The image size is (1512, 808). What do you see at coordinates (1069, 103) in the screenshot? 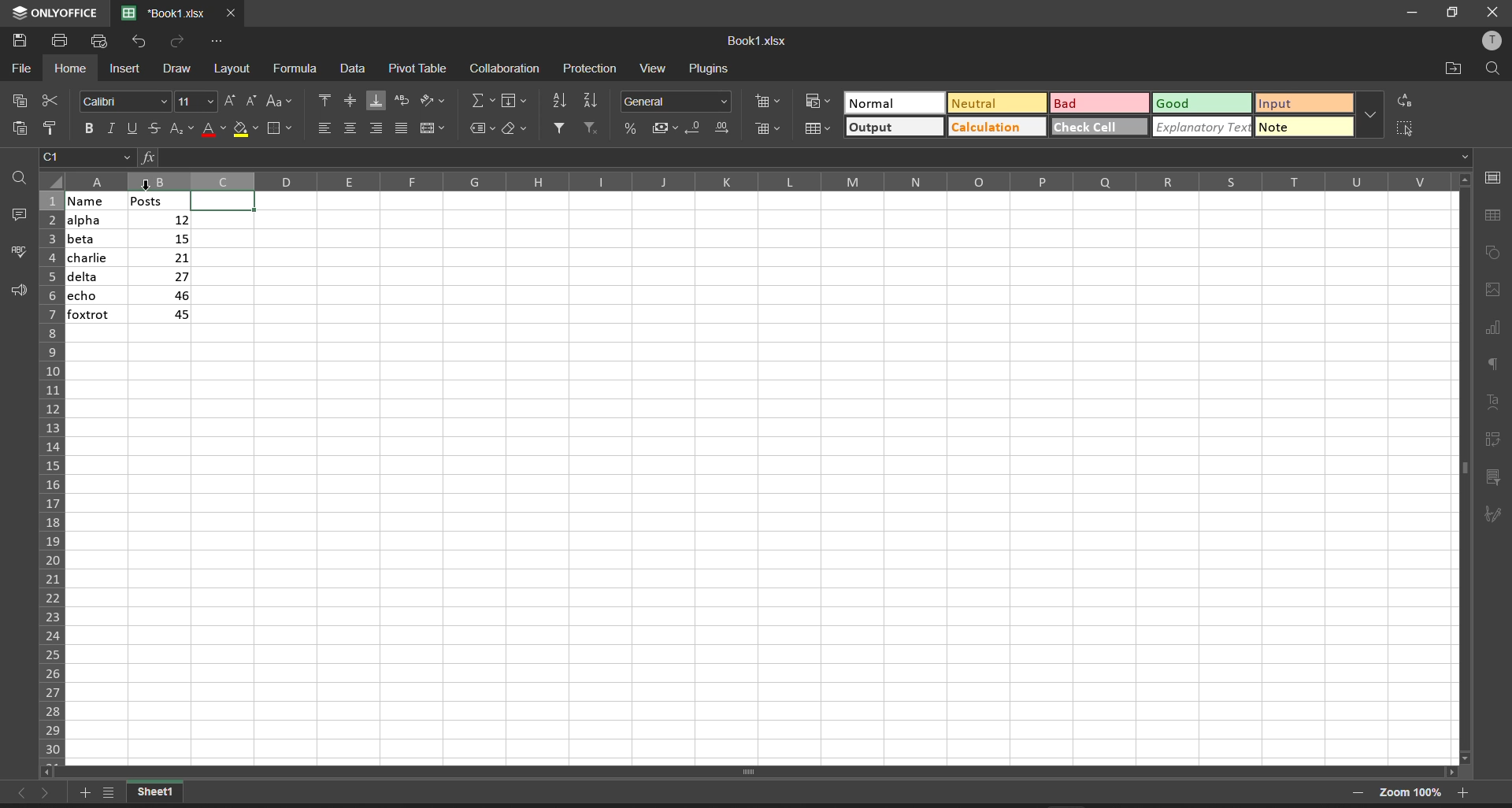
I see `Bad` at bounding box center [1069, 103].